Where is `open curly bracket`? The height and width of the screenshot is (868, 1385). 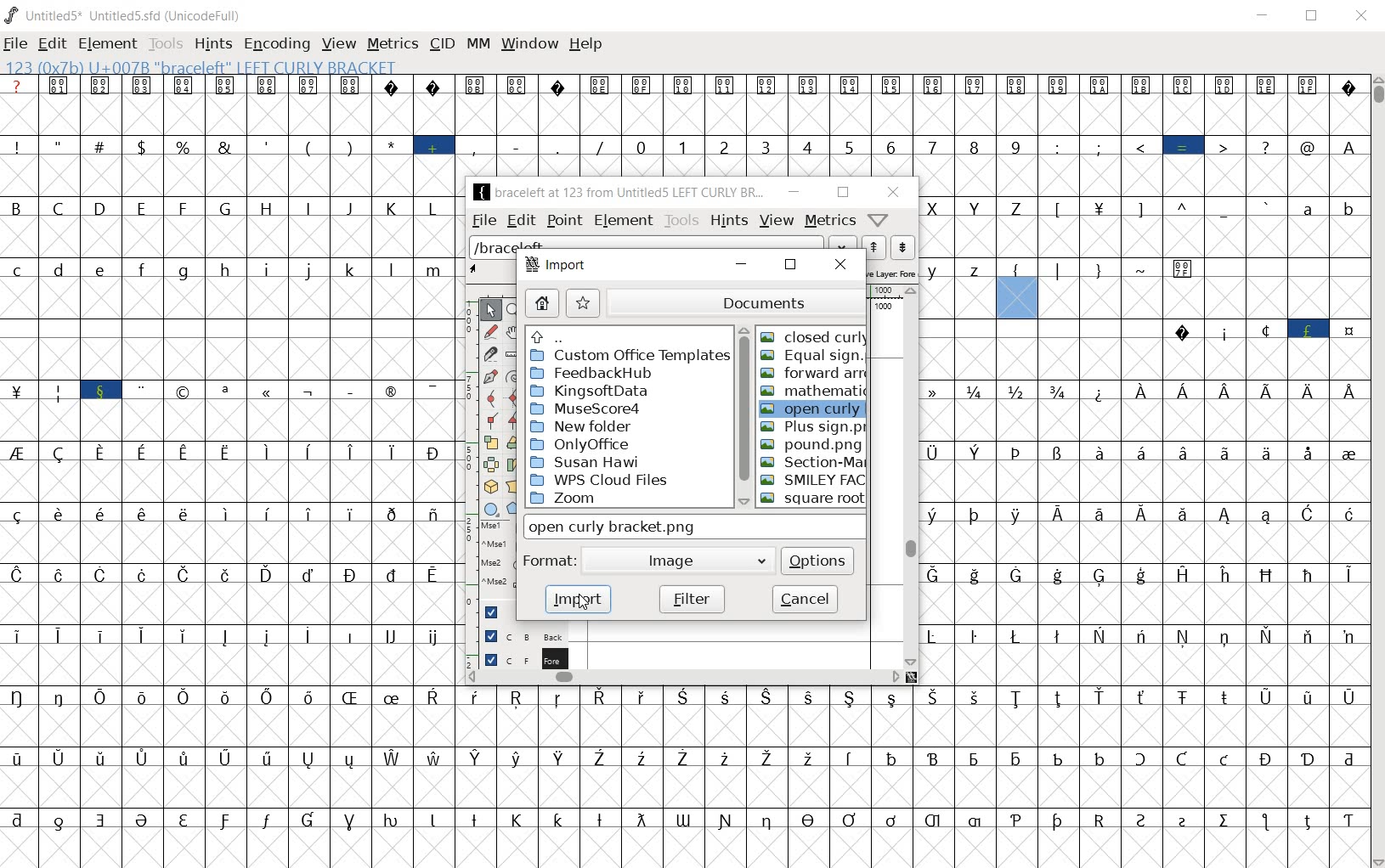
open curly bracket is located at coordinates (625, 526).